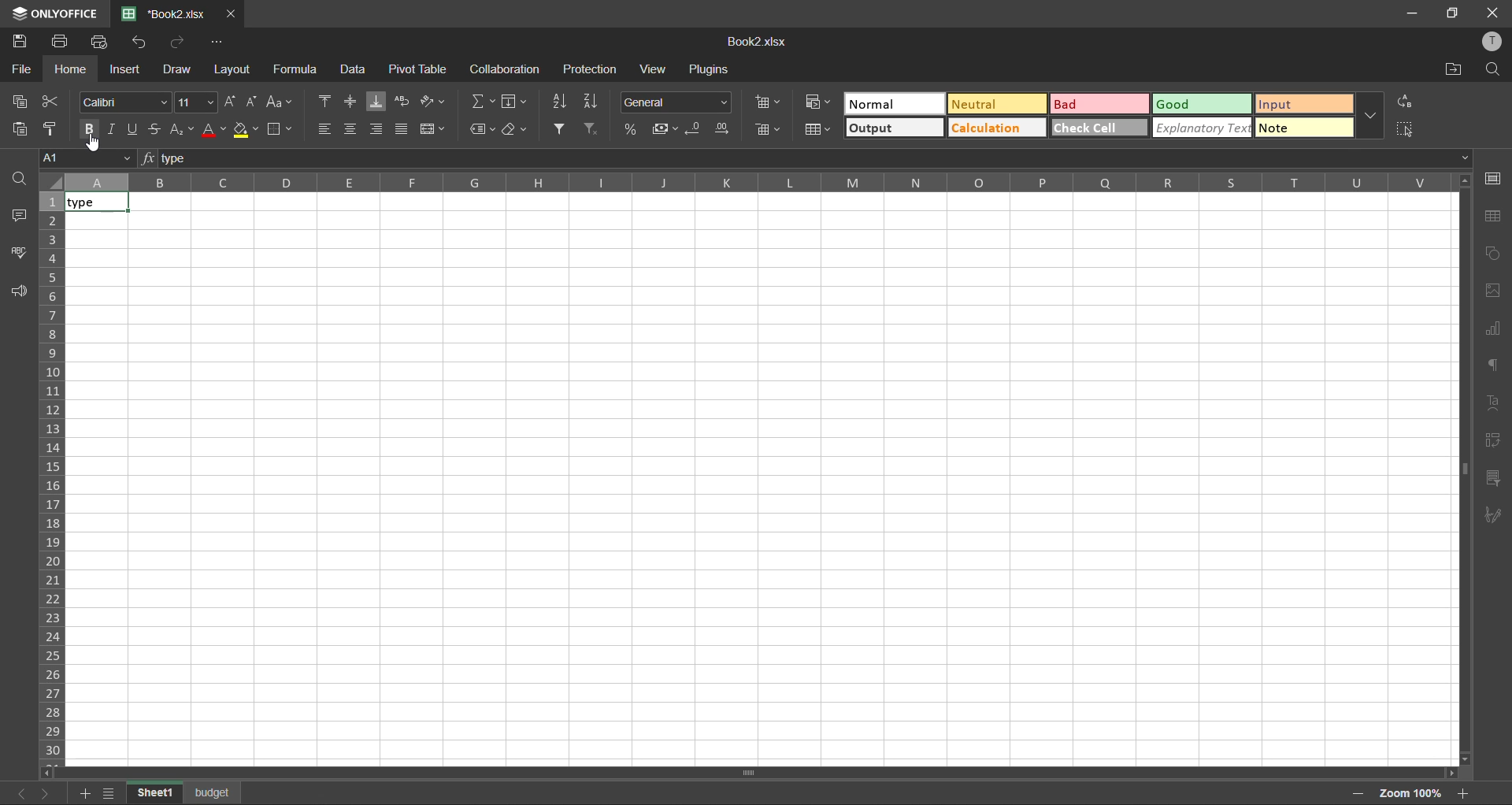 This screenshot has width=1512, height=805. What do you see at coordinates (16, 792) in the screenshot?
I see `previous` at bounding box center [16, 792].